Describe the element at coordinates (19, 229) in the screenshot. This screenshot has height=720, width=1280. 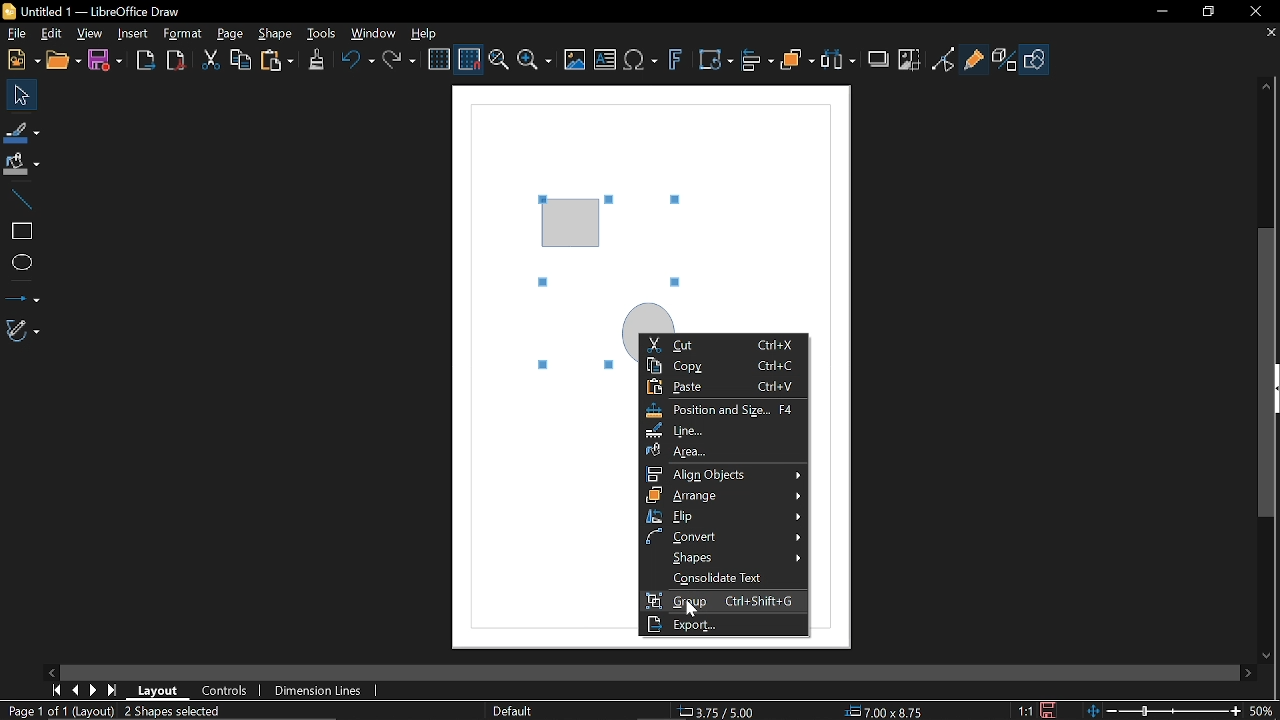
I see `Rectangle` at that location.